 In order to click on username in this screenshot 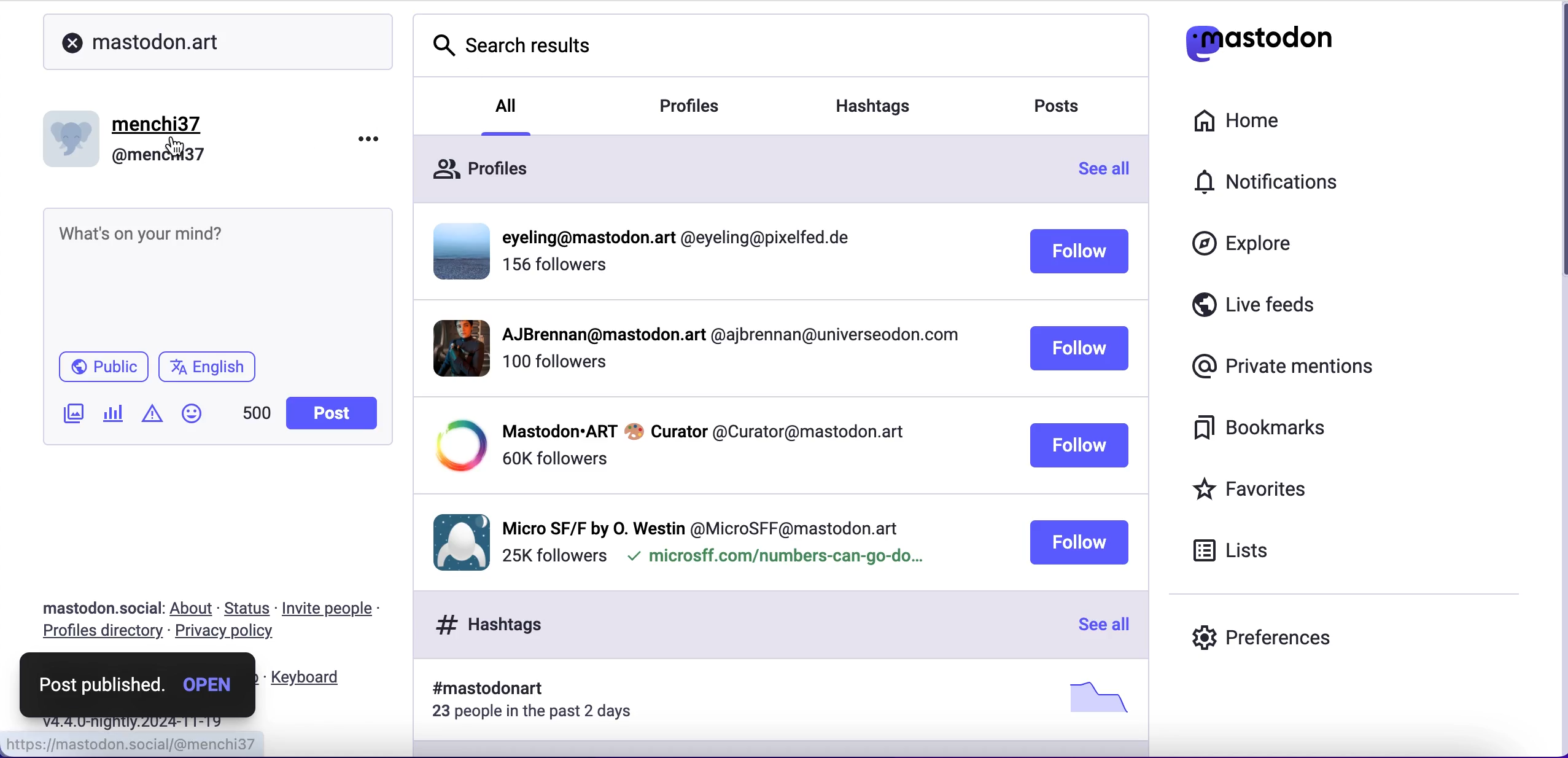, I will do `click(700, 434)`.